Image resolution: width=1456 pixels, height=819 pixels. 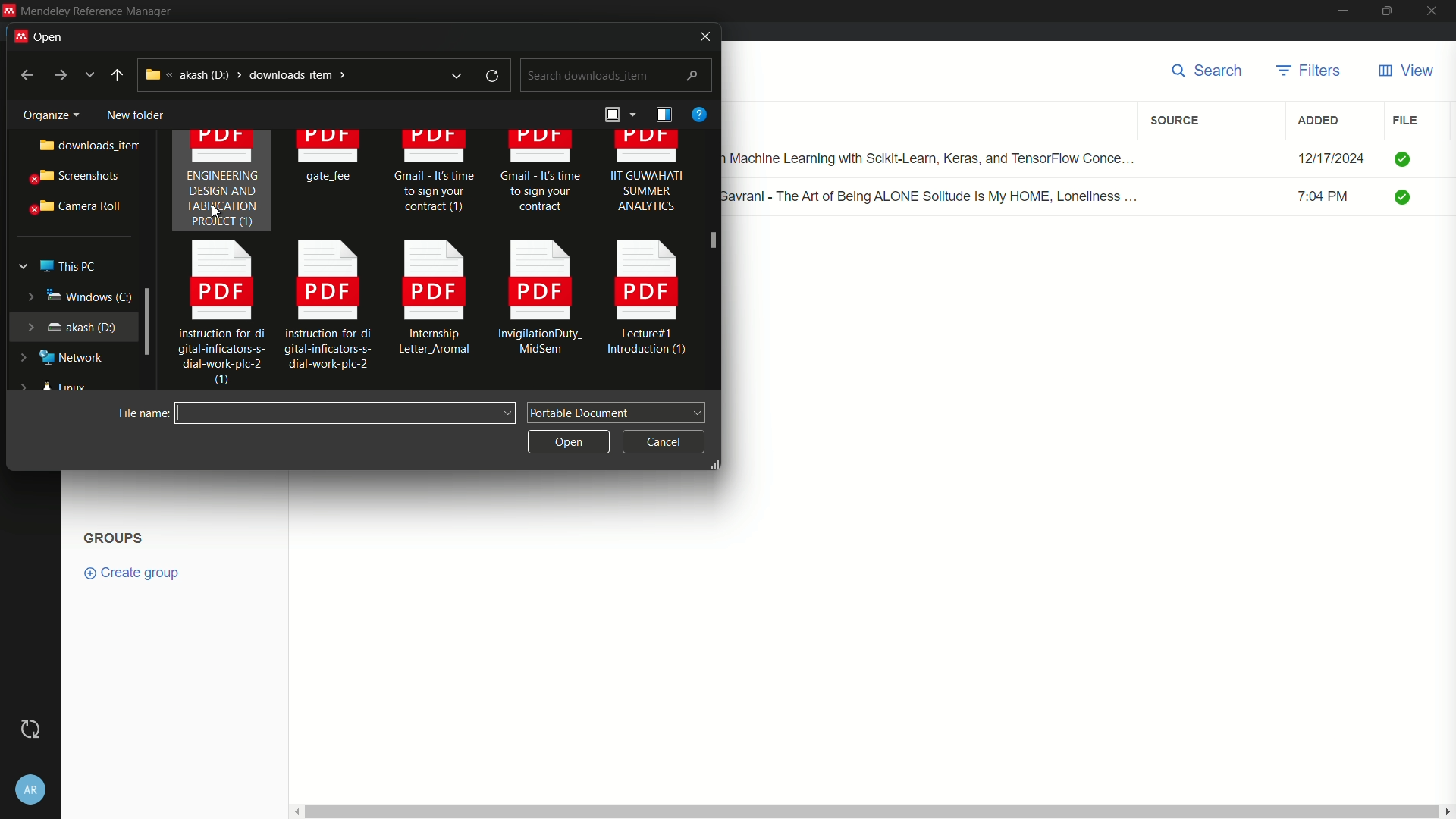 I want to click on arrange, so click(x=617, y=117).